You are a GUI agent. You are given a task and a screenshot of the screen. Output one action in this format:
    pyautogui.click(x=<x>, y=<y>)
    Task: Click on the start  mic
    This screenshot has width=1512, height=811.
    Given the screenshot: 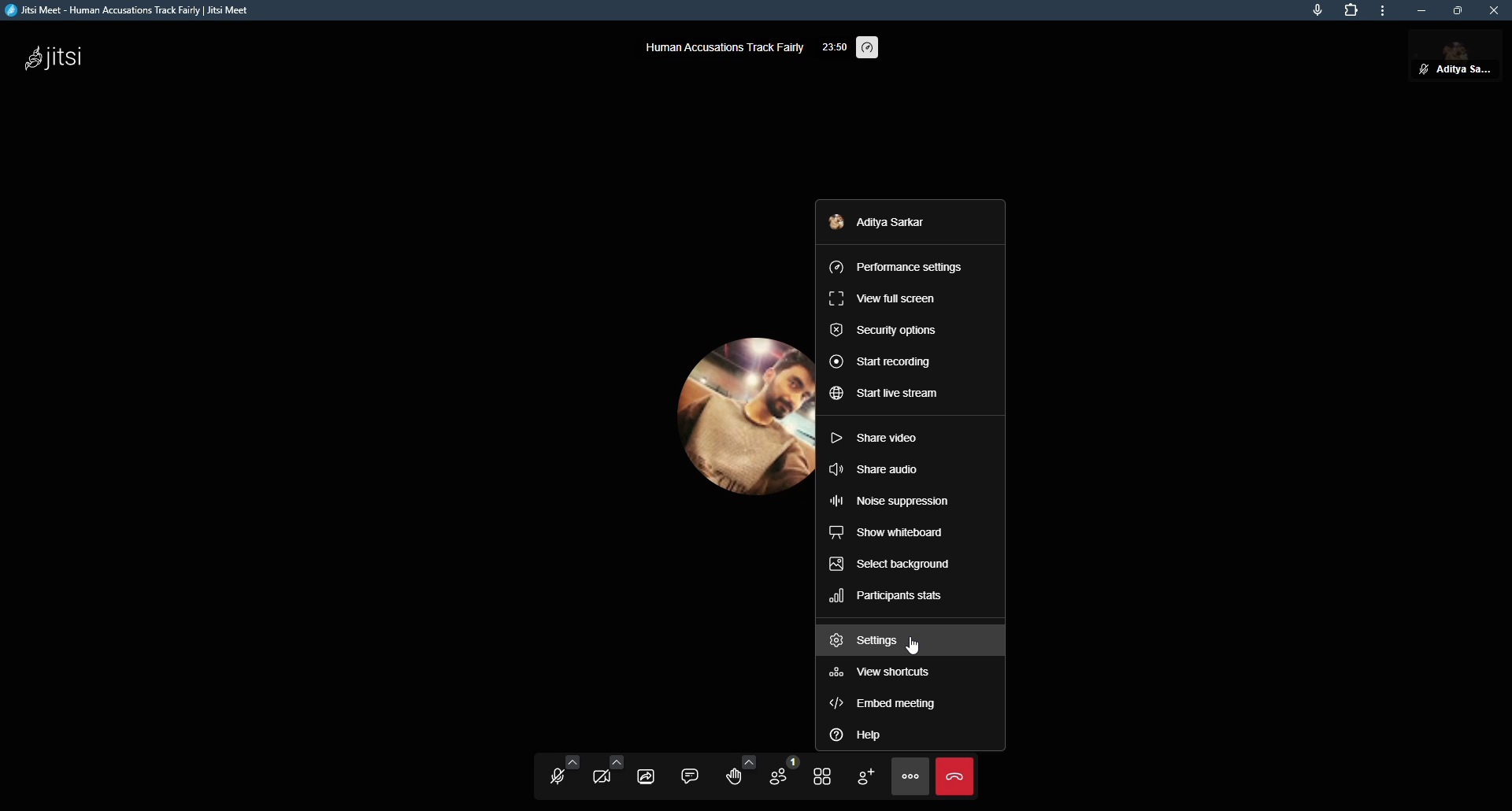 What is the action you would take?
    pyautogui.click(x=553, y=774)
    